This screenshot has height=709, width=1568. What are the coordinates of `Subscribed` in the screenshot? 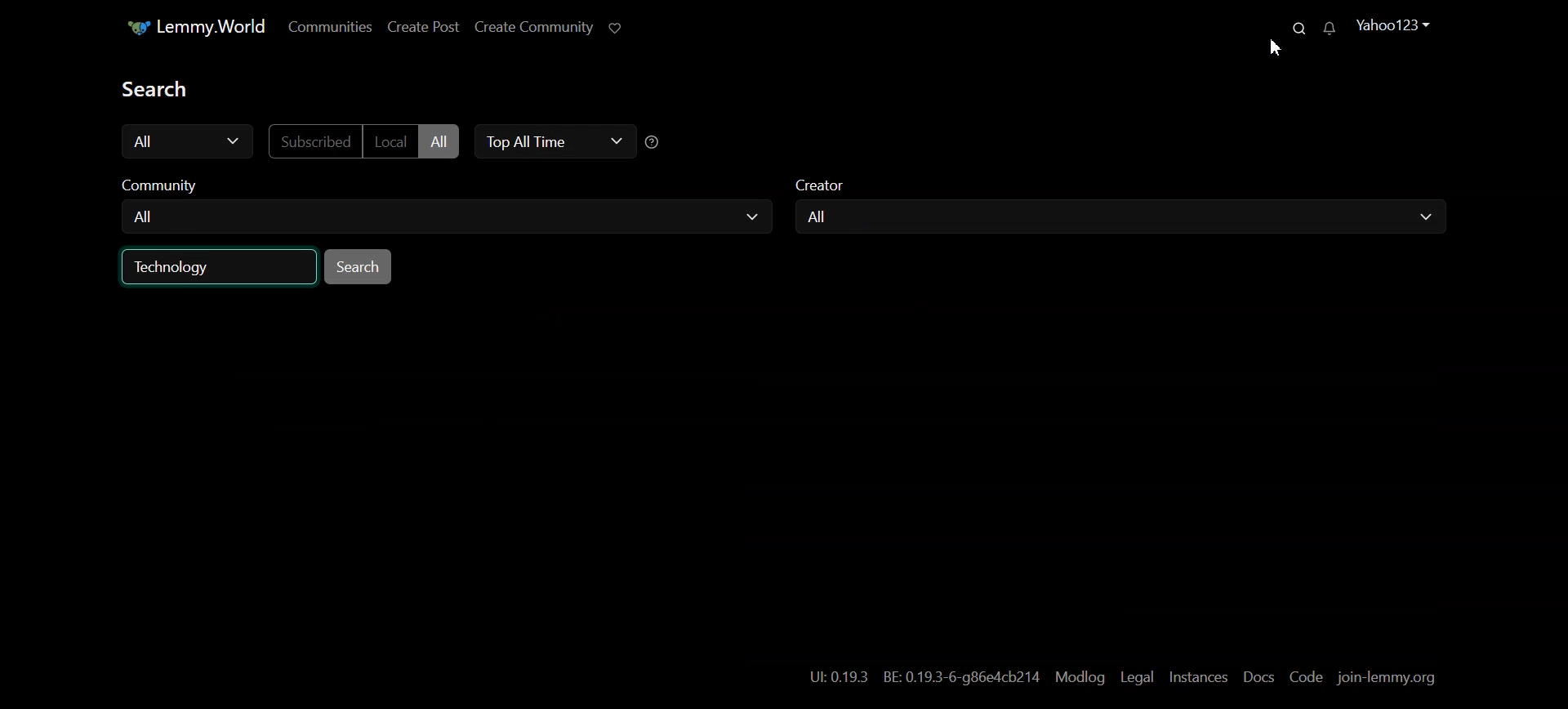 It's located at (314, 141).